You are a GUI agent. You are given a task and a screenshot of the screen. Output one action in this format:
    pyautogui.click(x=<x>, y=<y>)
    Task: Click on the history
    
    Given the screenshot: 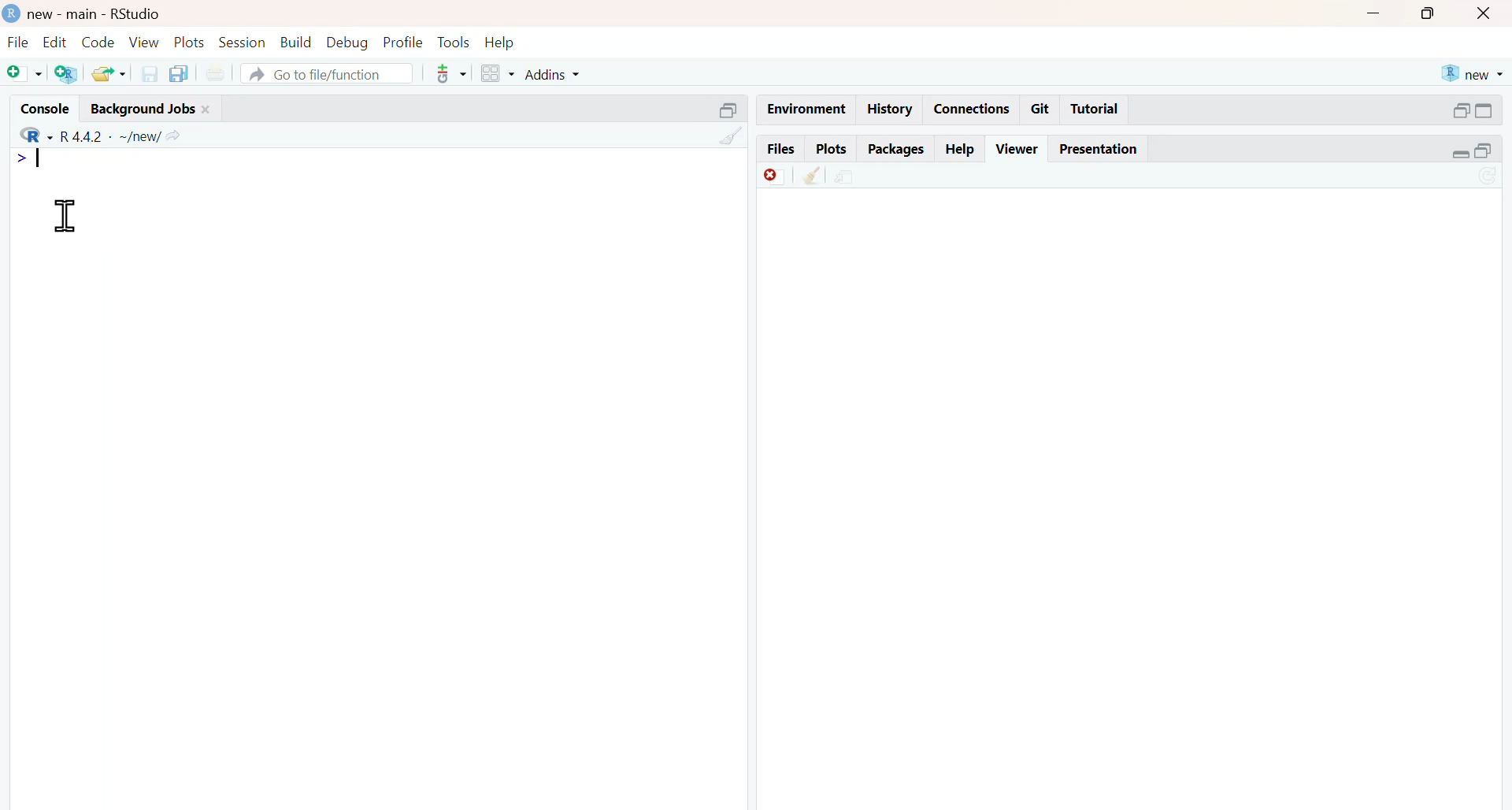 What is the action you would take?
    pyautogui.click(x=891, y=110)
    